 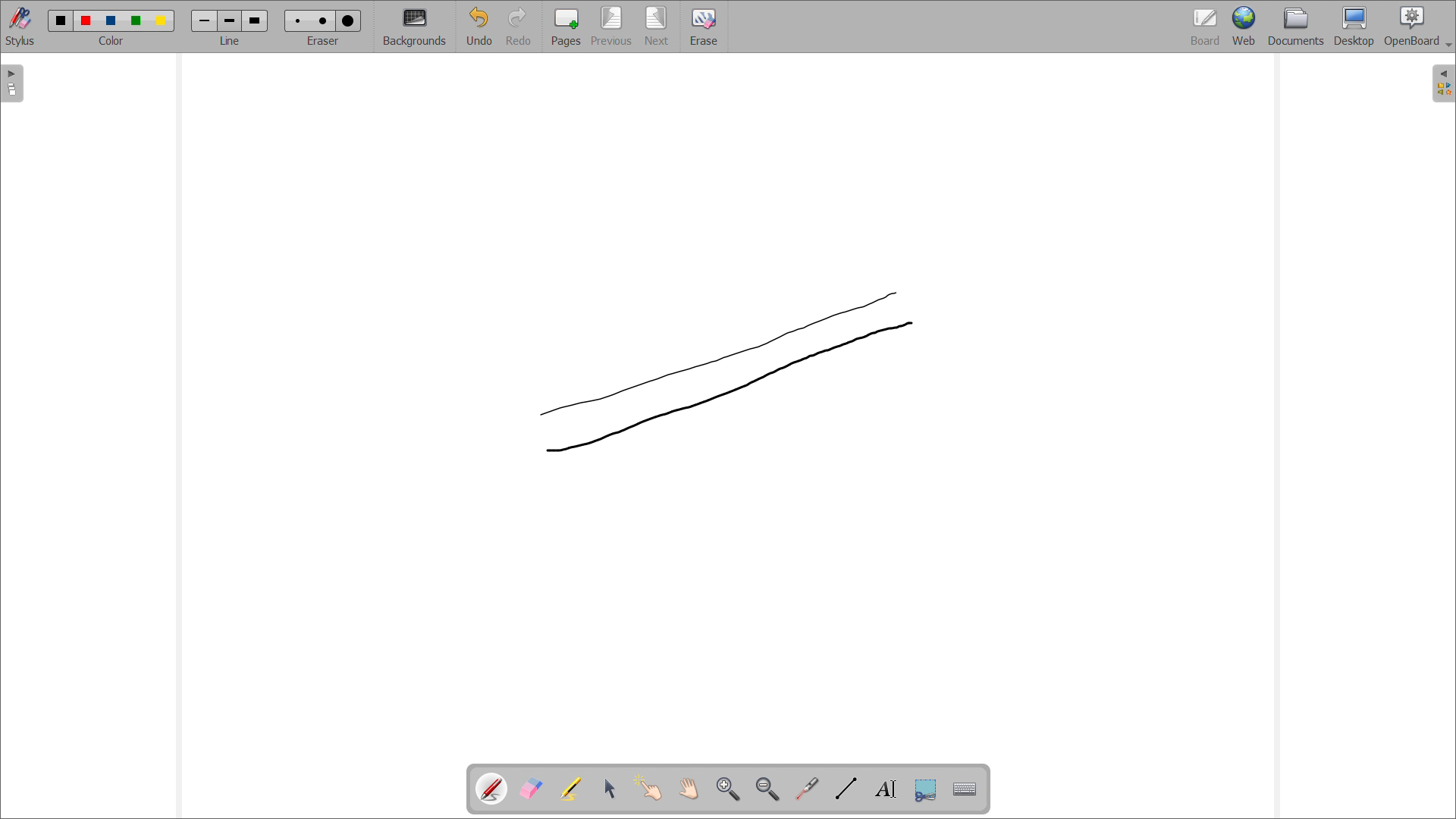 I want to click on select eraser size, so click(x=324, y=41).